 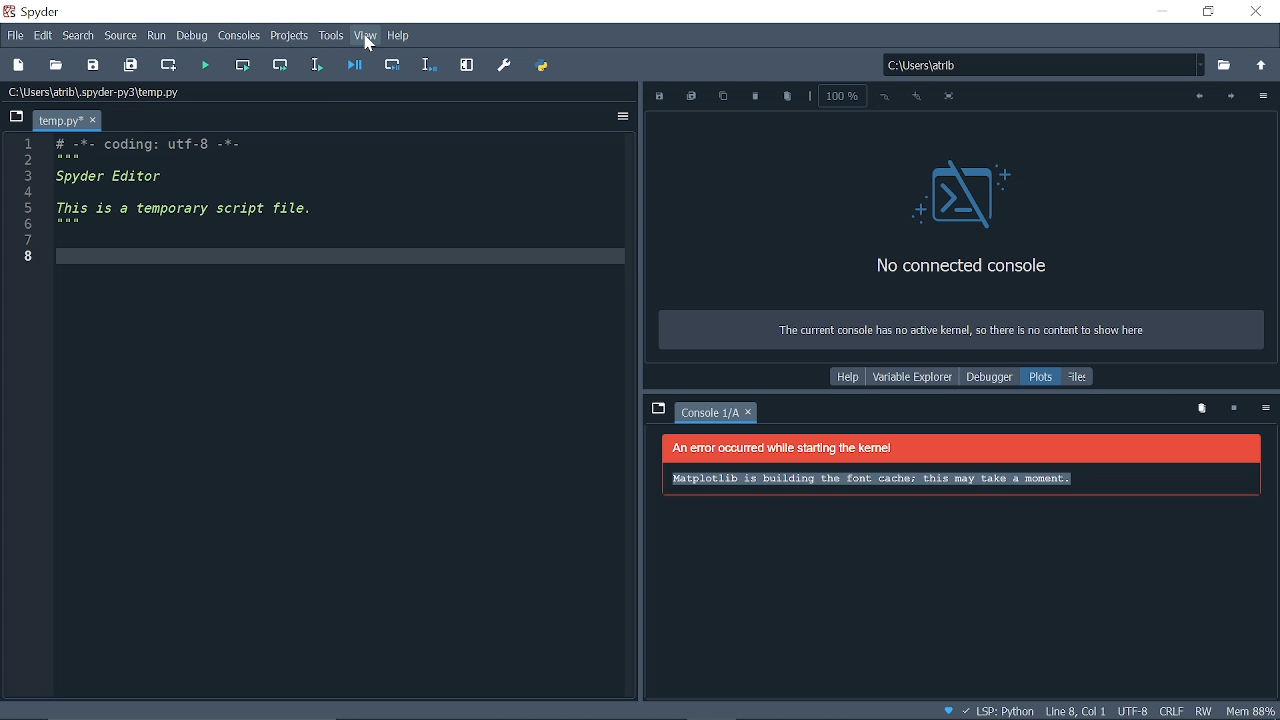 What do you see at coordinates (357, 65) in the screenshot?
I see `Debug file` at bounding box center [357, 65].